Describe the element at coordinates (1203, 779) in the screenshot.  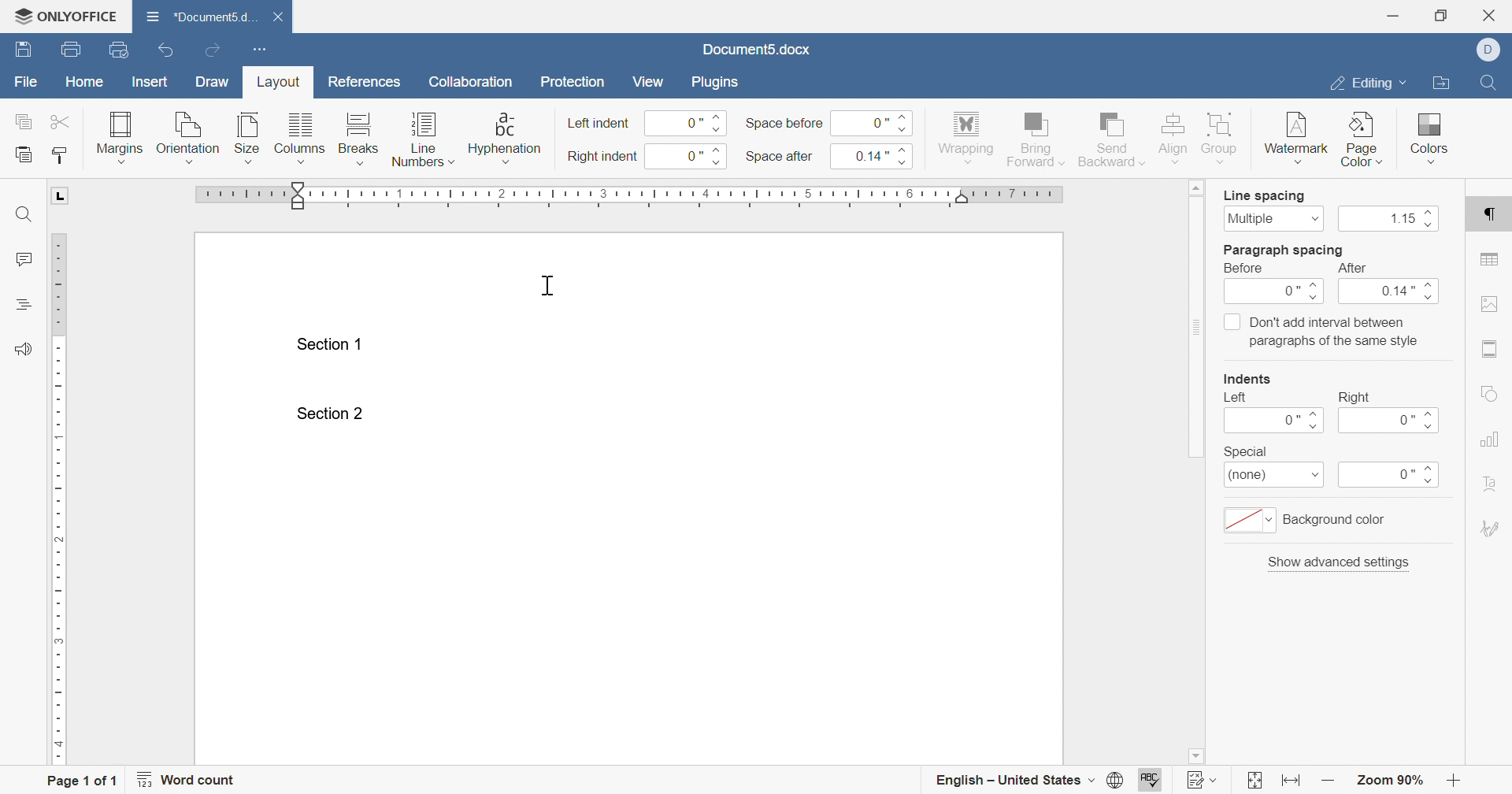
I see `track changes` at that location.